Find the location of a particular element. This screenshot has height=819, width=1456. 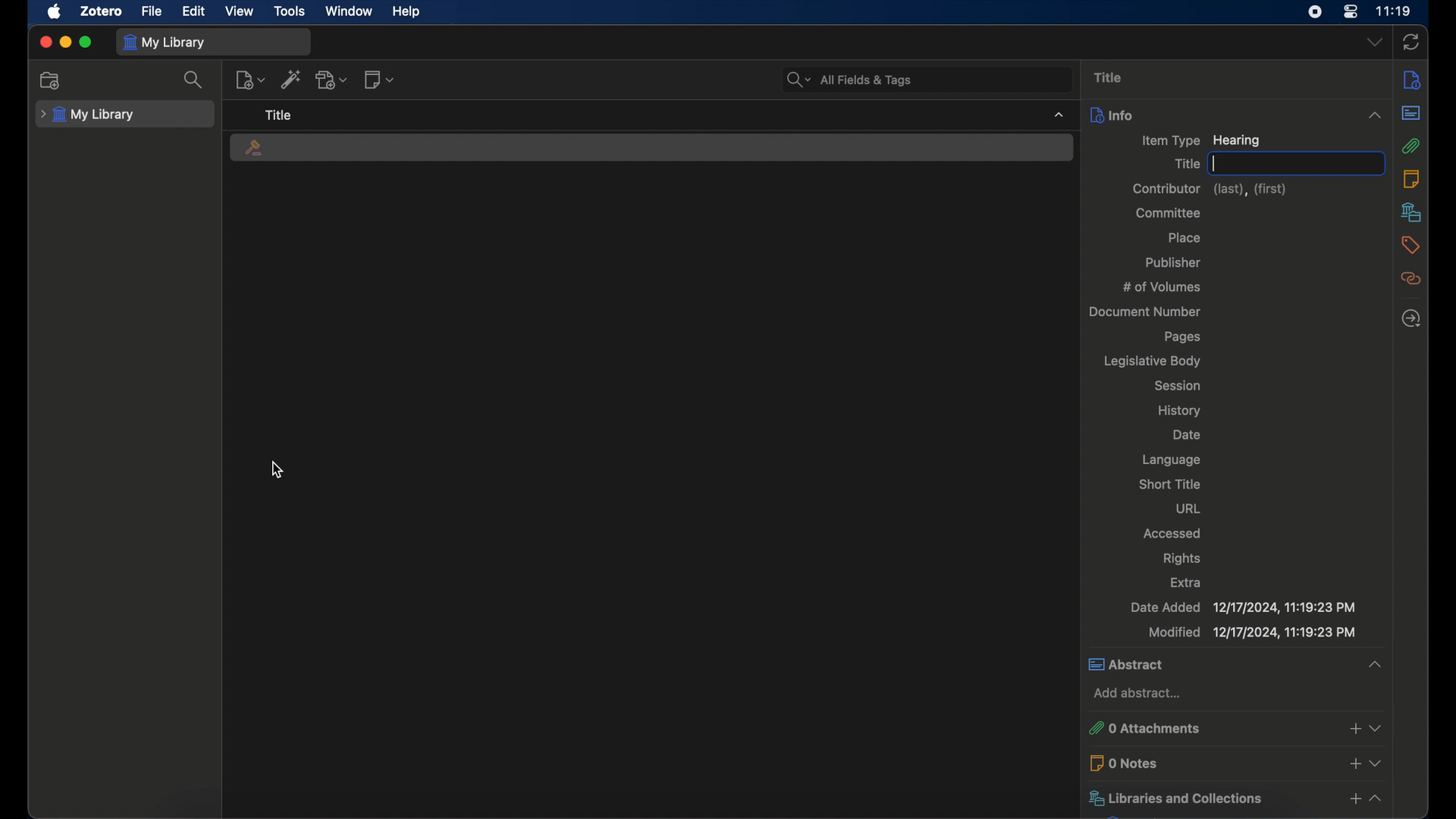

dropdown is located at coordinates (1375, 42).